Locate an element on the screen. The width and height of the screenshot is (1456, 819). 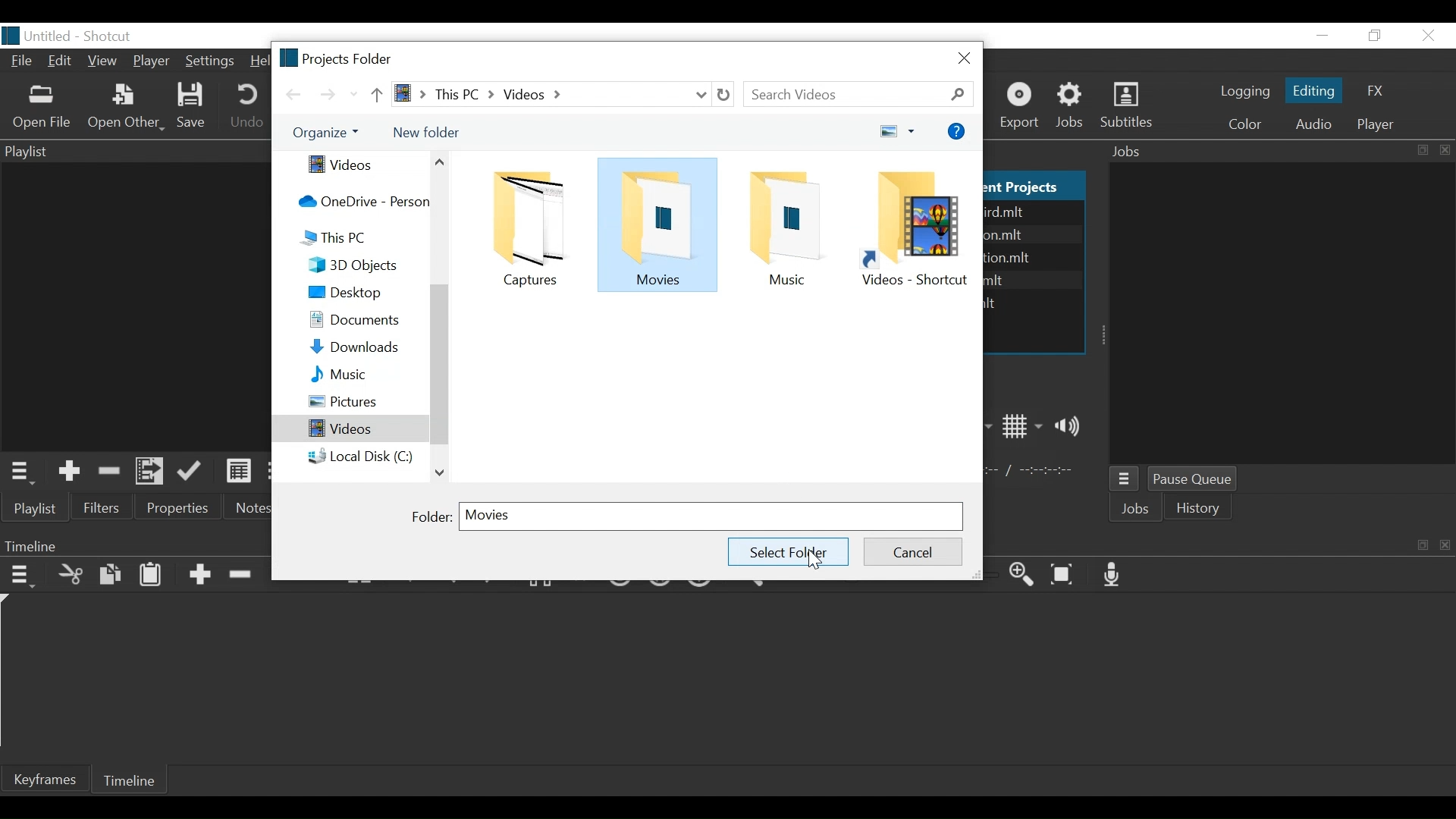
Player is located at coordinates (152, 61).